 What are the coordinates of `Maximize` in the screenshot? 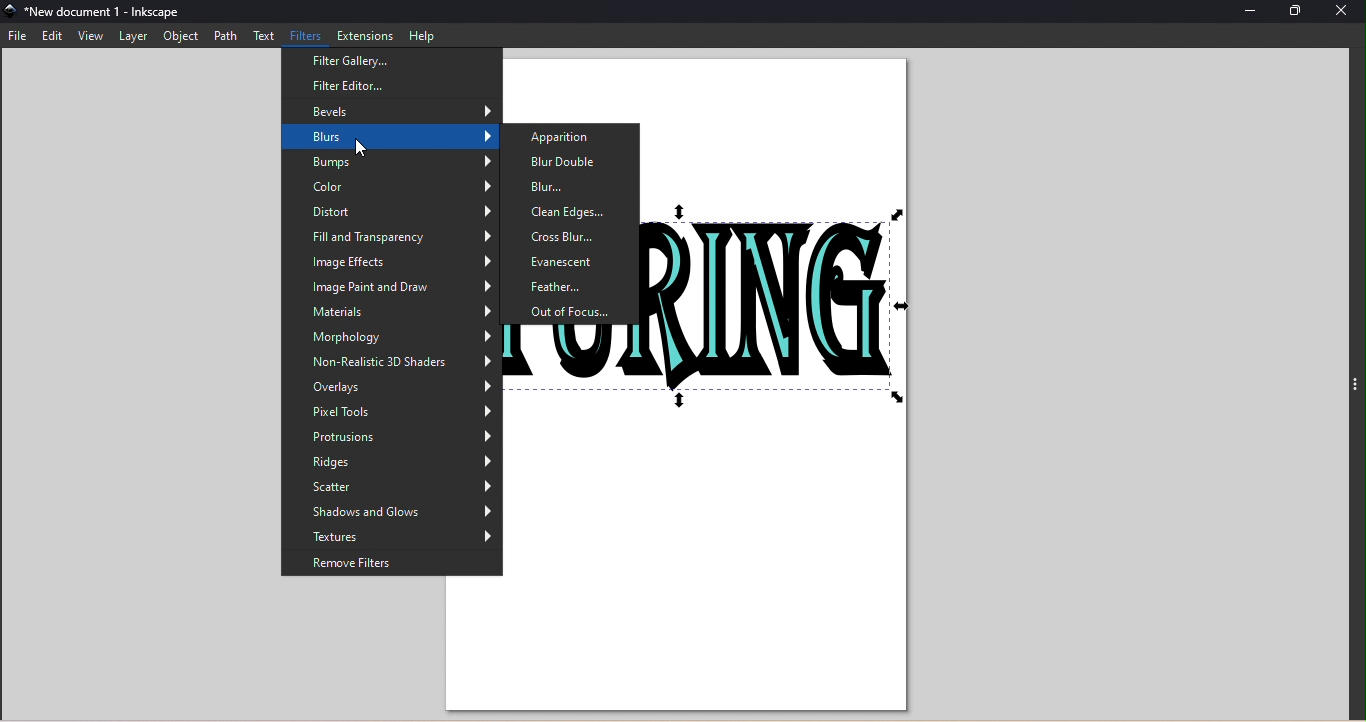 It's located at (1301, 12).